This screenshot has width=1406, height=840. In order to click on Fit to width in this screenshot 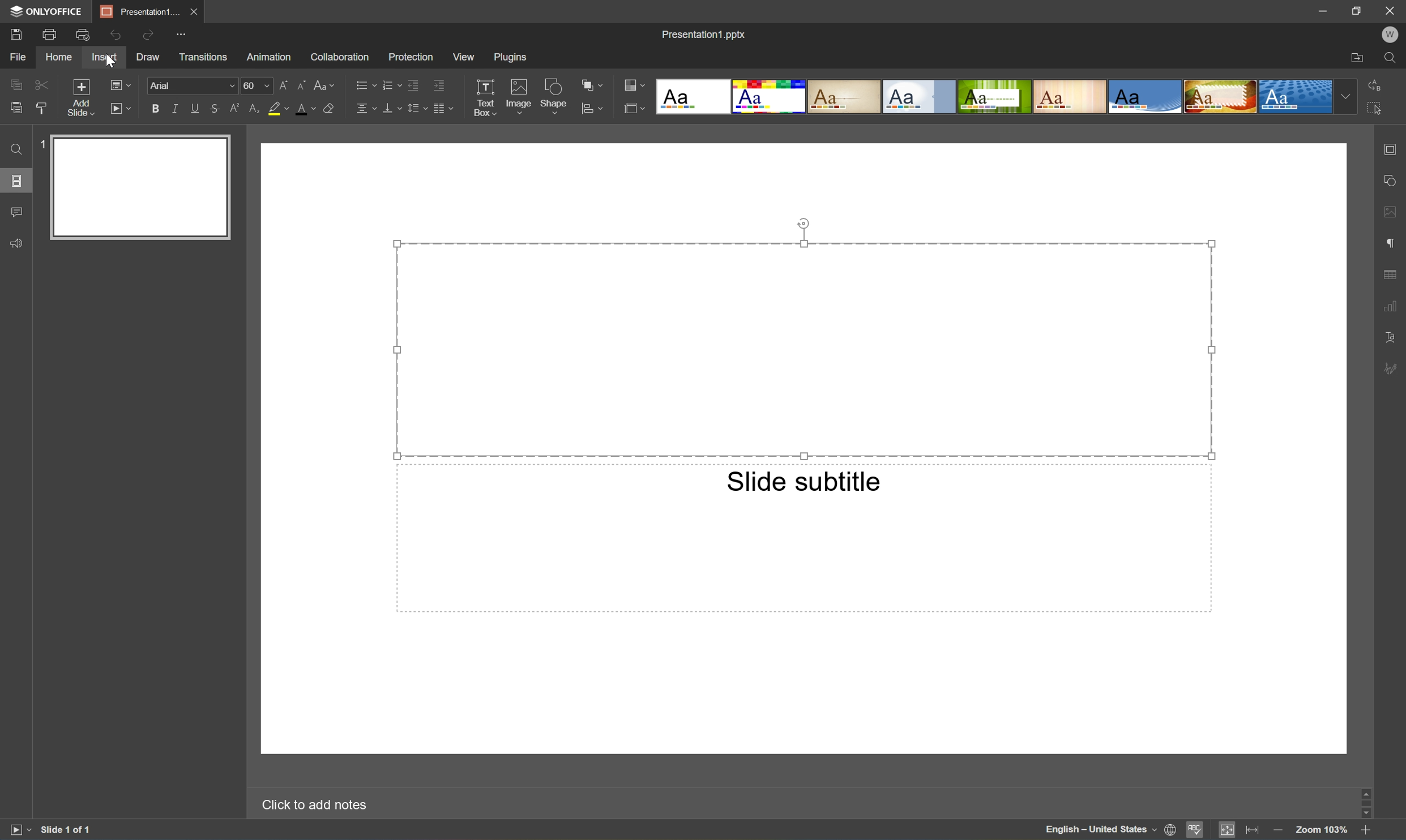, I will do `click(1254, 829)`.